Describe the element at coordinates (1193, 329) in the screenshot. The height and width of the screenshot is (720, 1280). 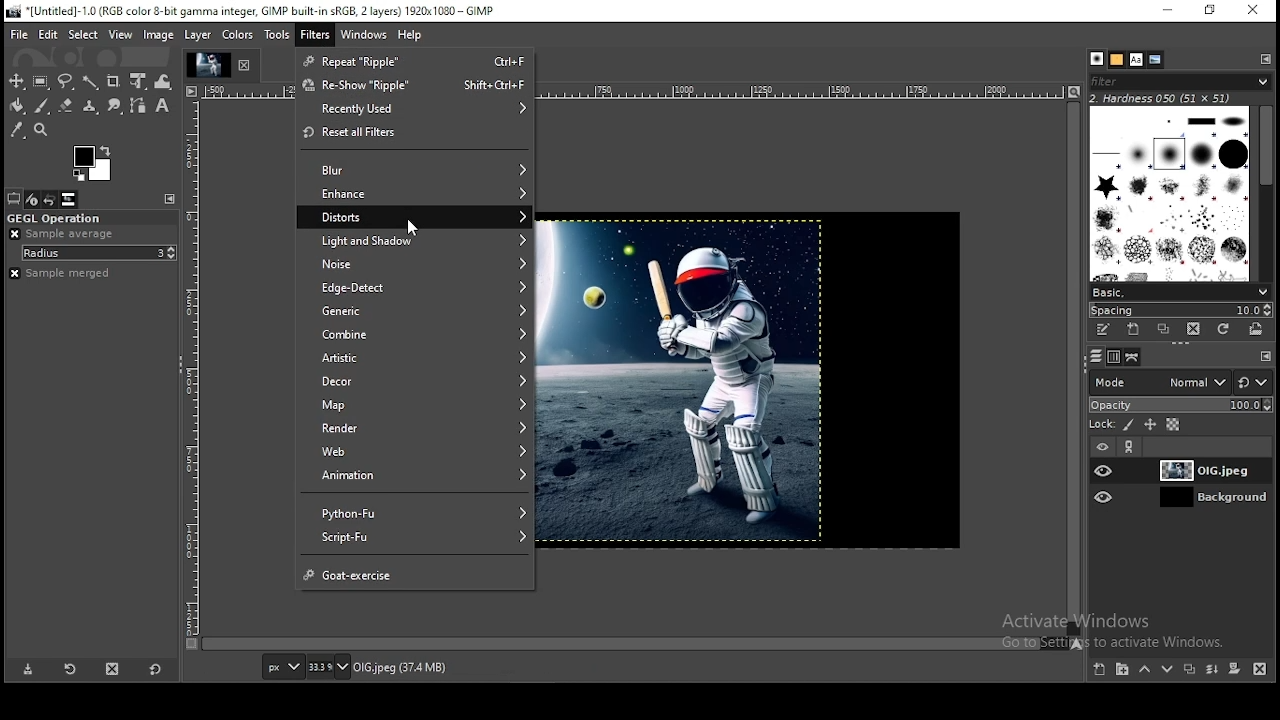
I see `delete this brush` at that location.